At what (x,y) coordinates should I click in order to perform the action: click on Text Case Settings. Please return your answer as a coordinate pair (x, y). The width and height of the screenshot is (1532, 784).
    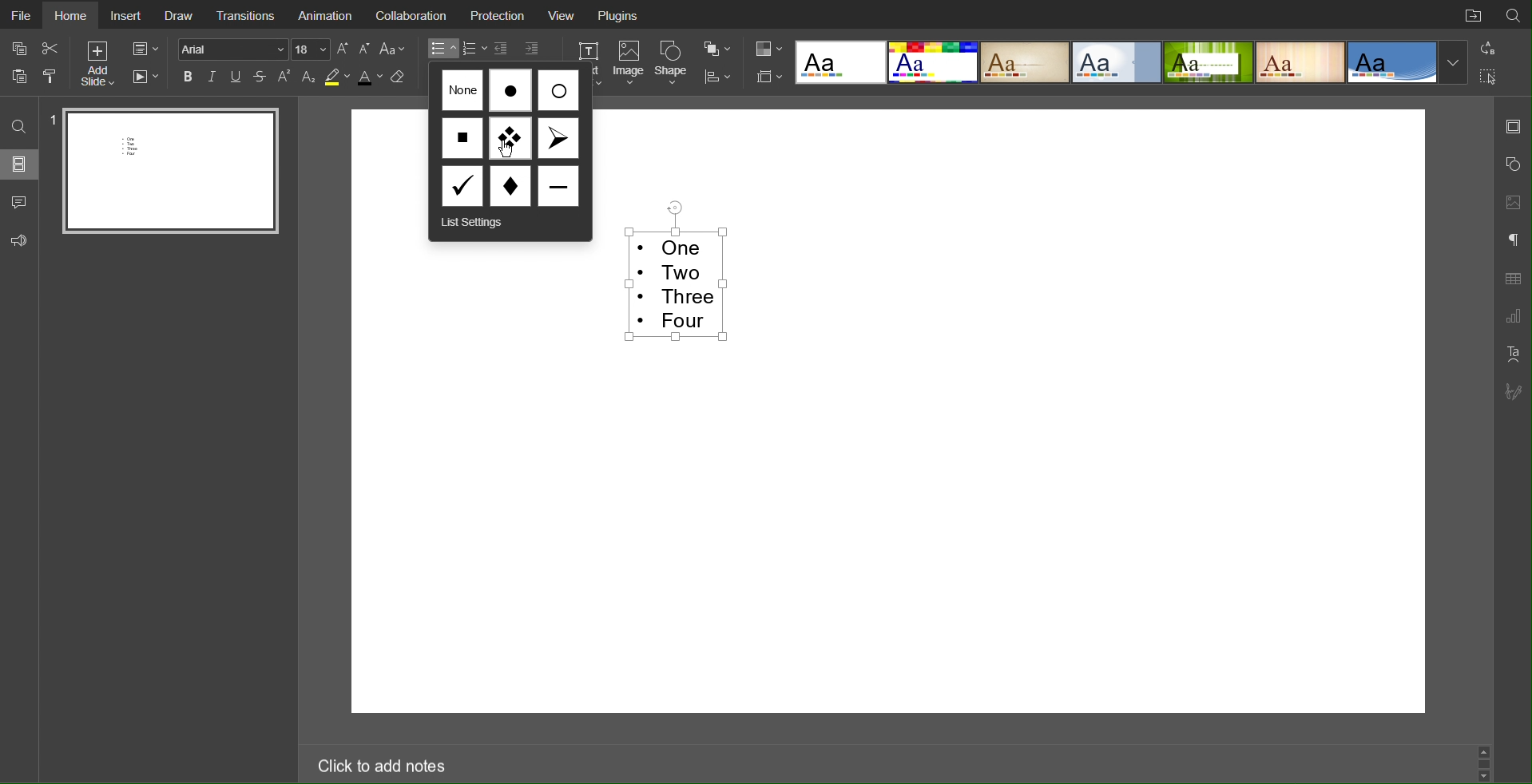
    Looking at the image, I should click on (390, 49).